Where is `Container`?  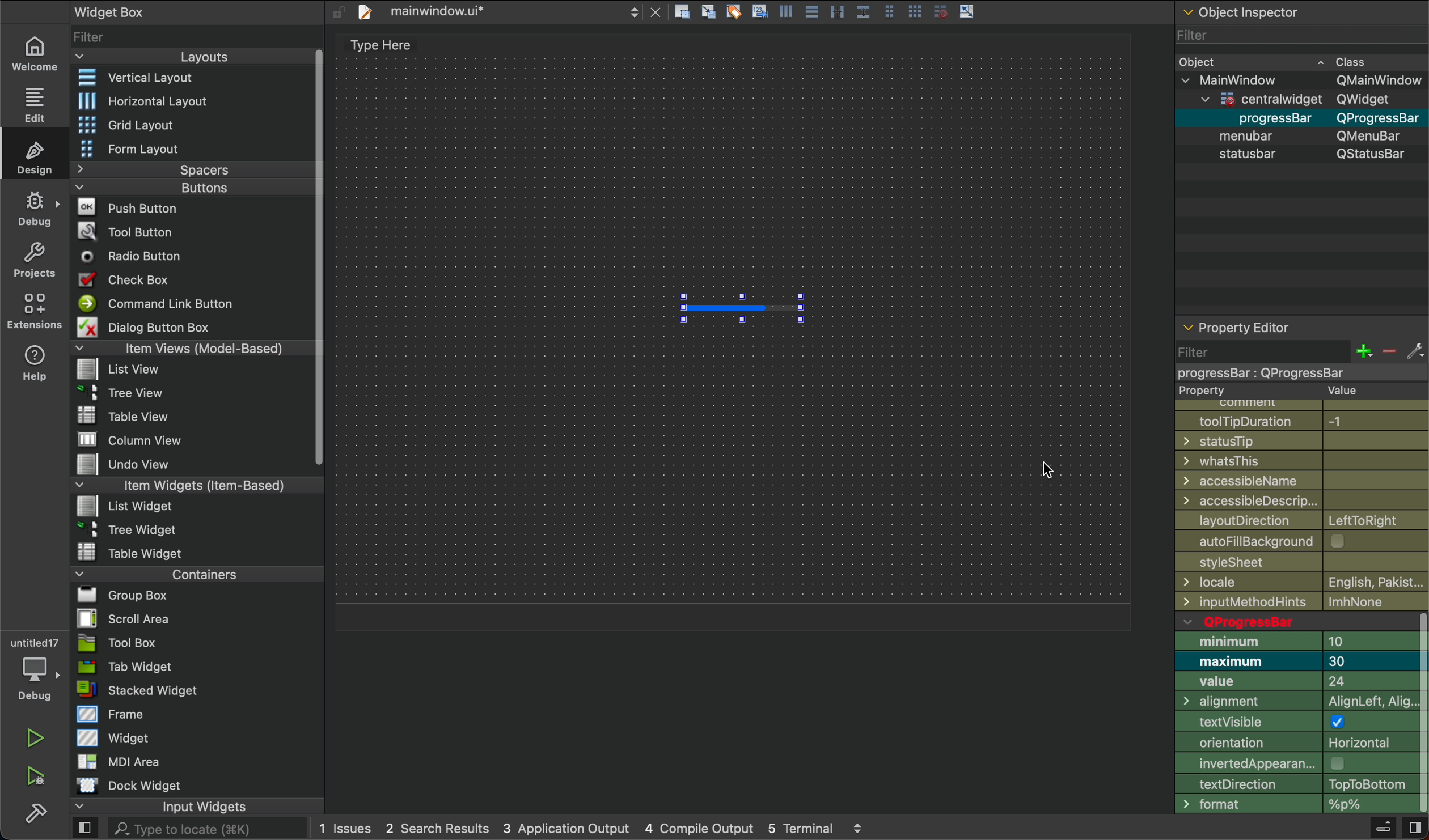
Container is located at coordinates (168, 573).